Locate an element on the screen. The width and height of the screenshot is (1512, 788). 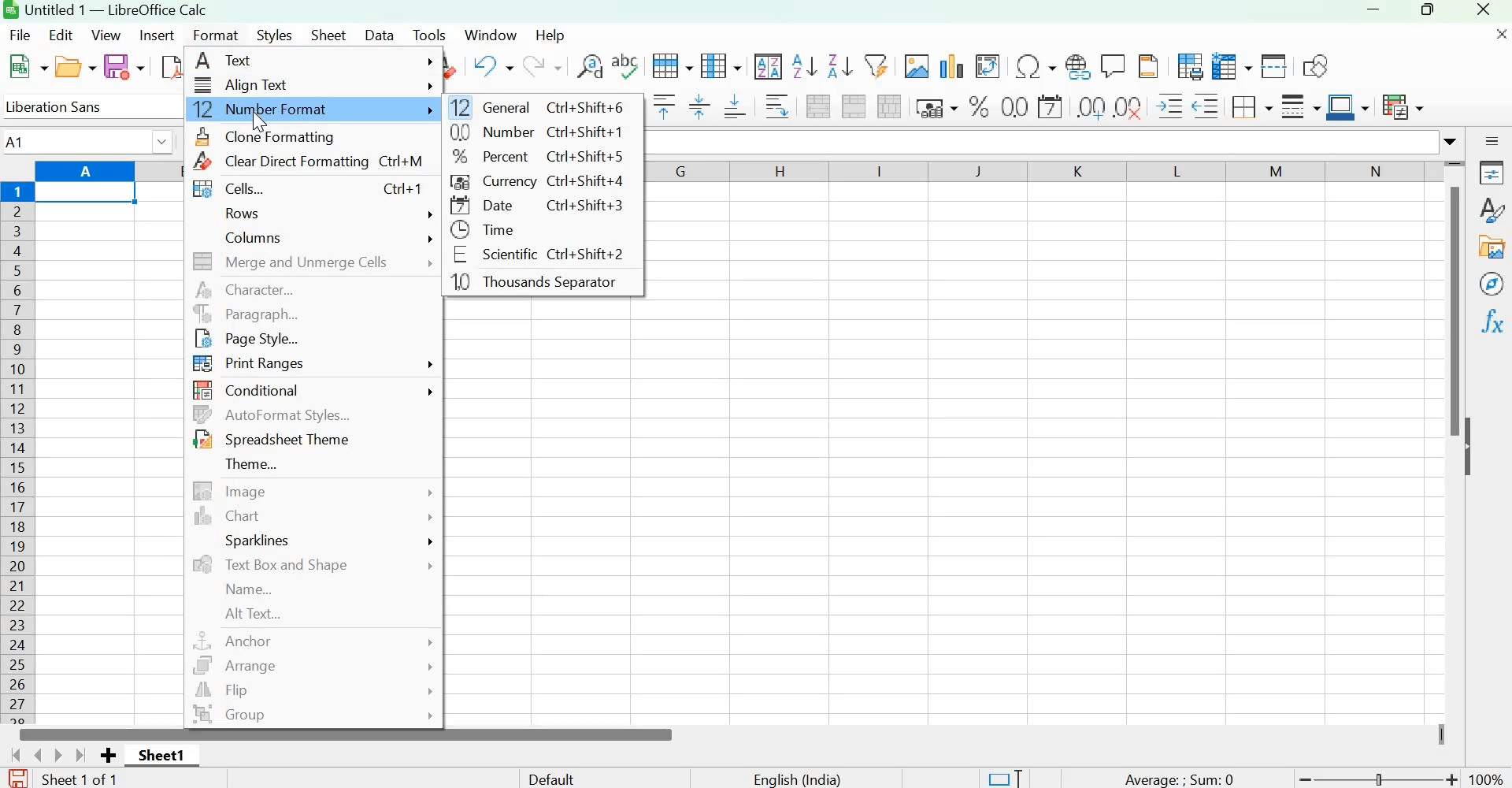
Expand formula bar is located at coordinates (1453, 141).